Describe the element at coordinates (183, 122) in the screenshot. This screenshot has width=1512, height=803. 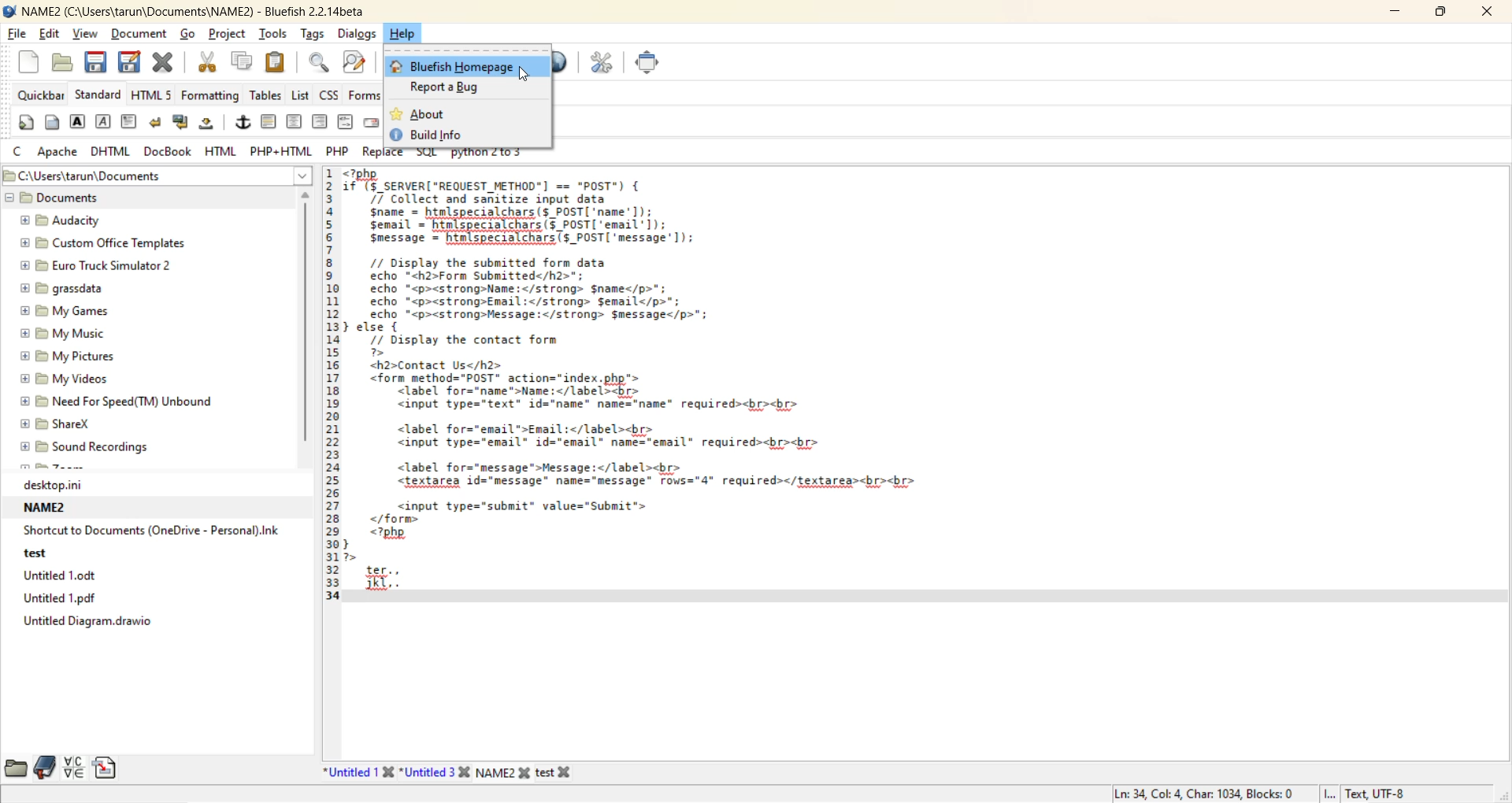
I see `break and clear` at that location.